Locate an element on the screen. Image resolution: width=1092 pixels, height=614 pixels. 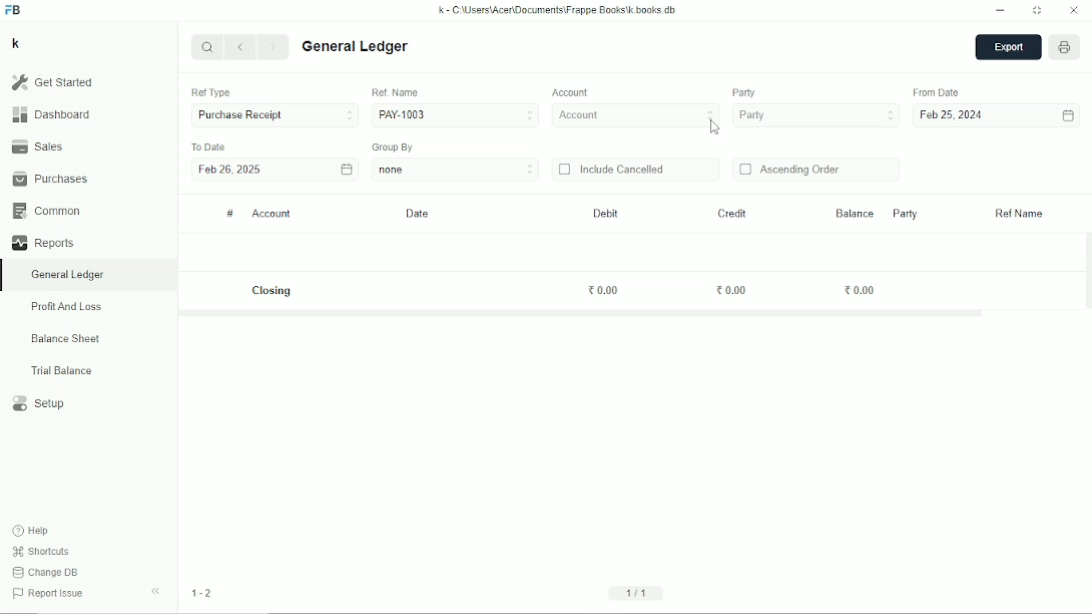
Horizontal scrollbar is located at coordinates (582, 314).